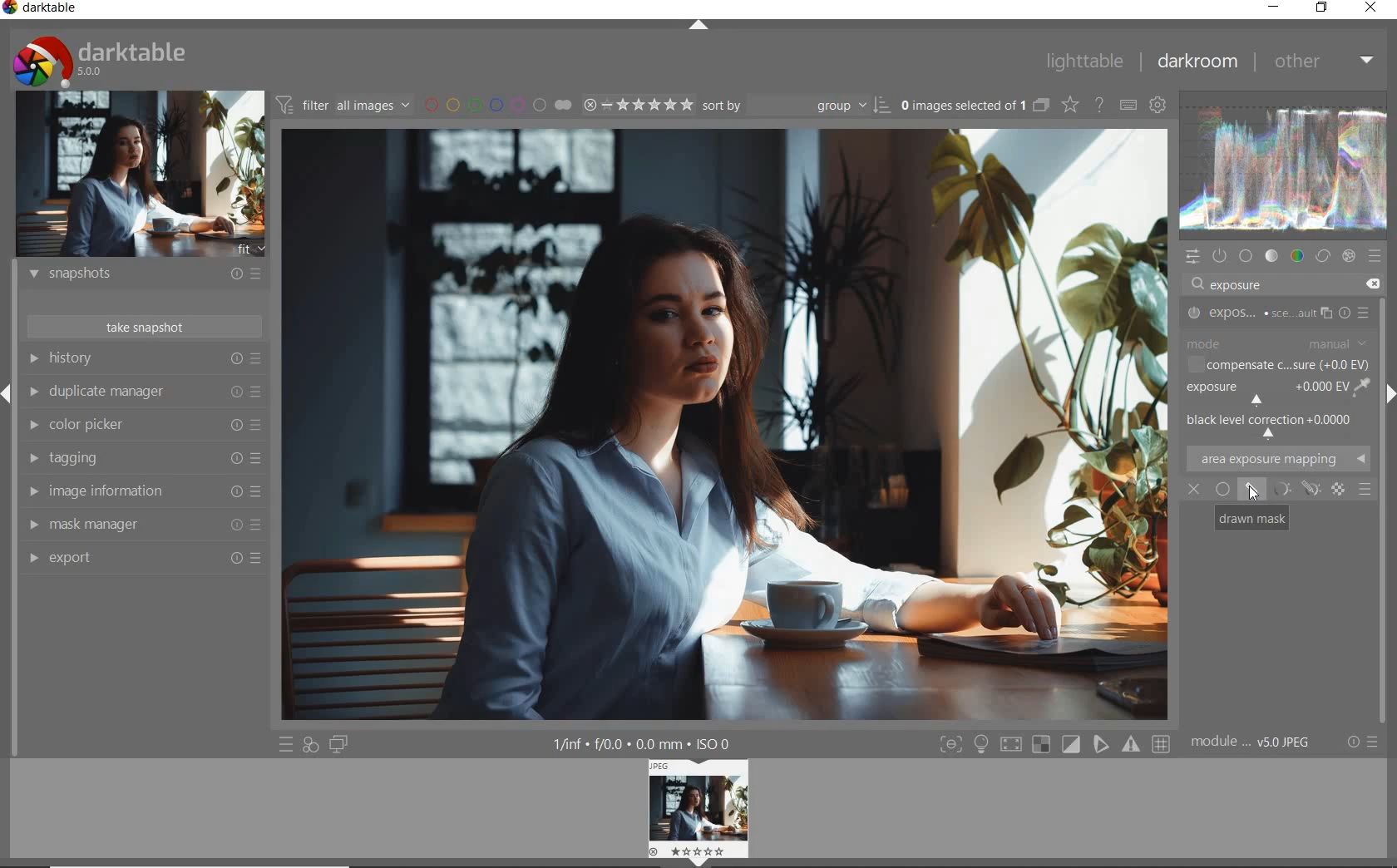 The width and height of the screenshot is (1397, 868). What do you see at coordinates (1277, 457) in the screenshot?
I see `AREA EXPOSURE MAPPING` at bounding box center [1277, 457].